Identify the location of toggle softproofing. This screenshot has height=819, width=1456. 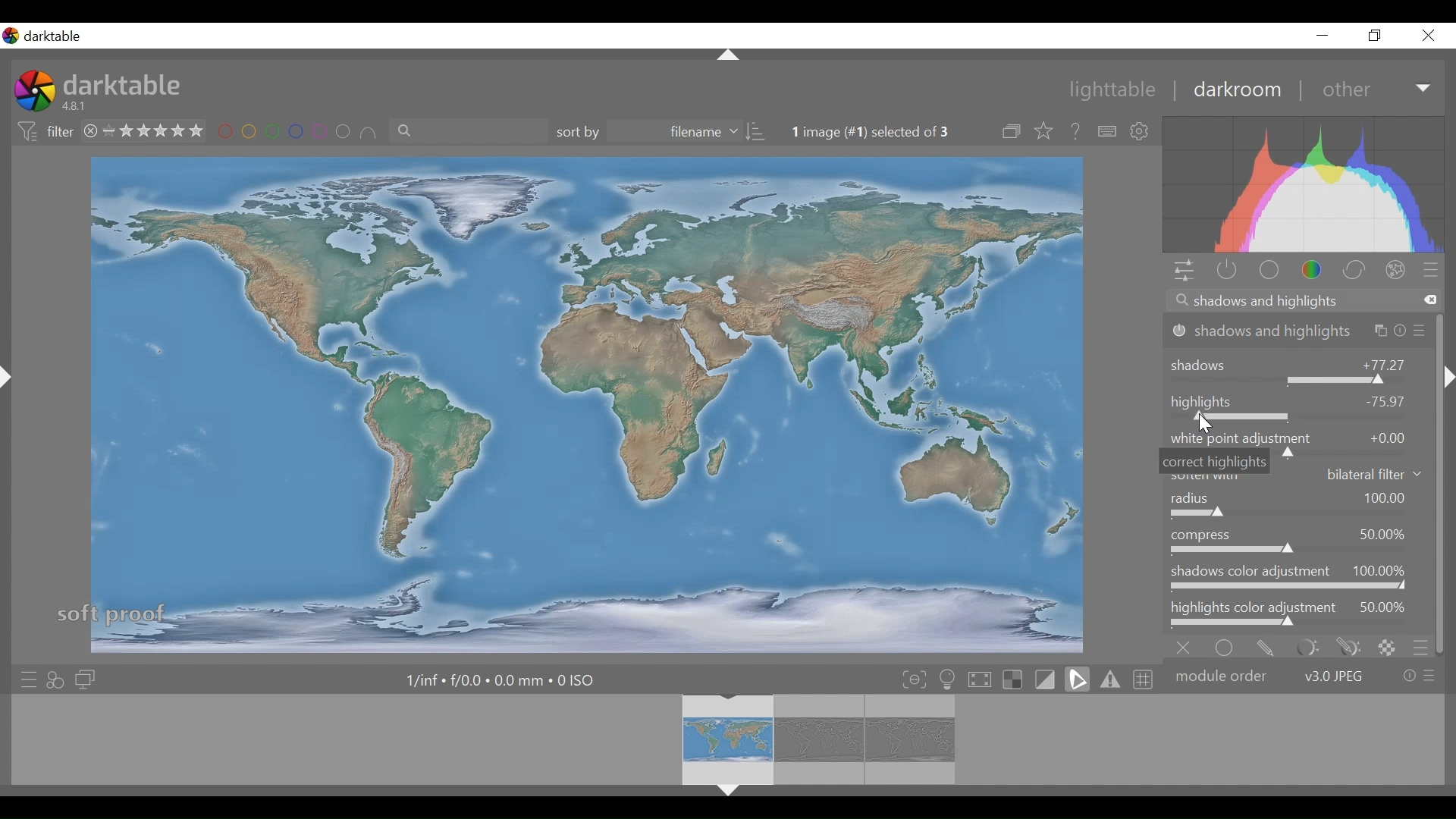
(1077, 679).